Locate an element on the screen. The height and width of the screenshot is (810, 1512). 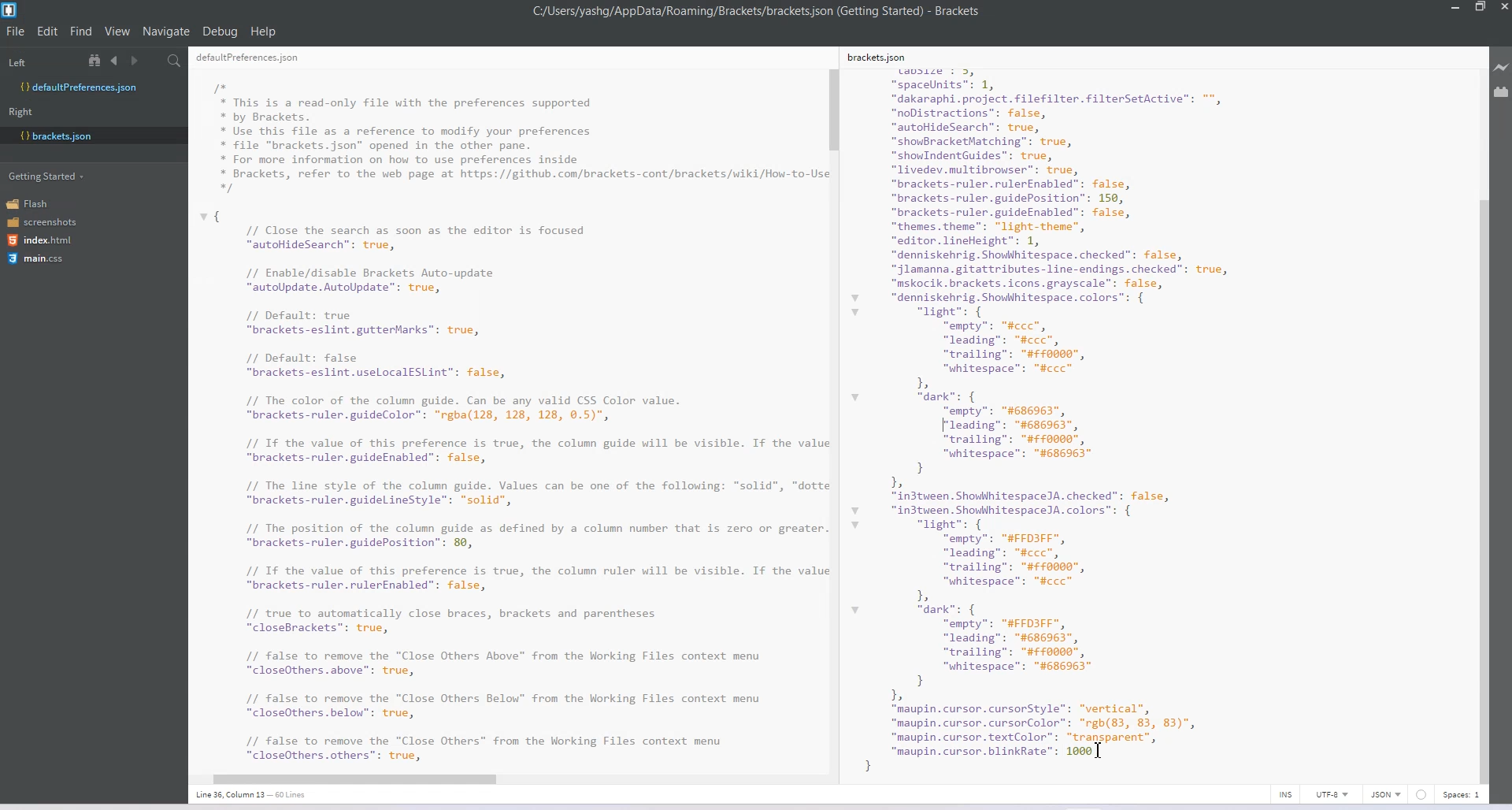
UTF-8 is located at coordinates (1332, 794).